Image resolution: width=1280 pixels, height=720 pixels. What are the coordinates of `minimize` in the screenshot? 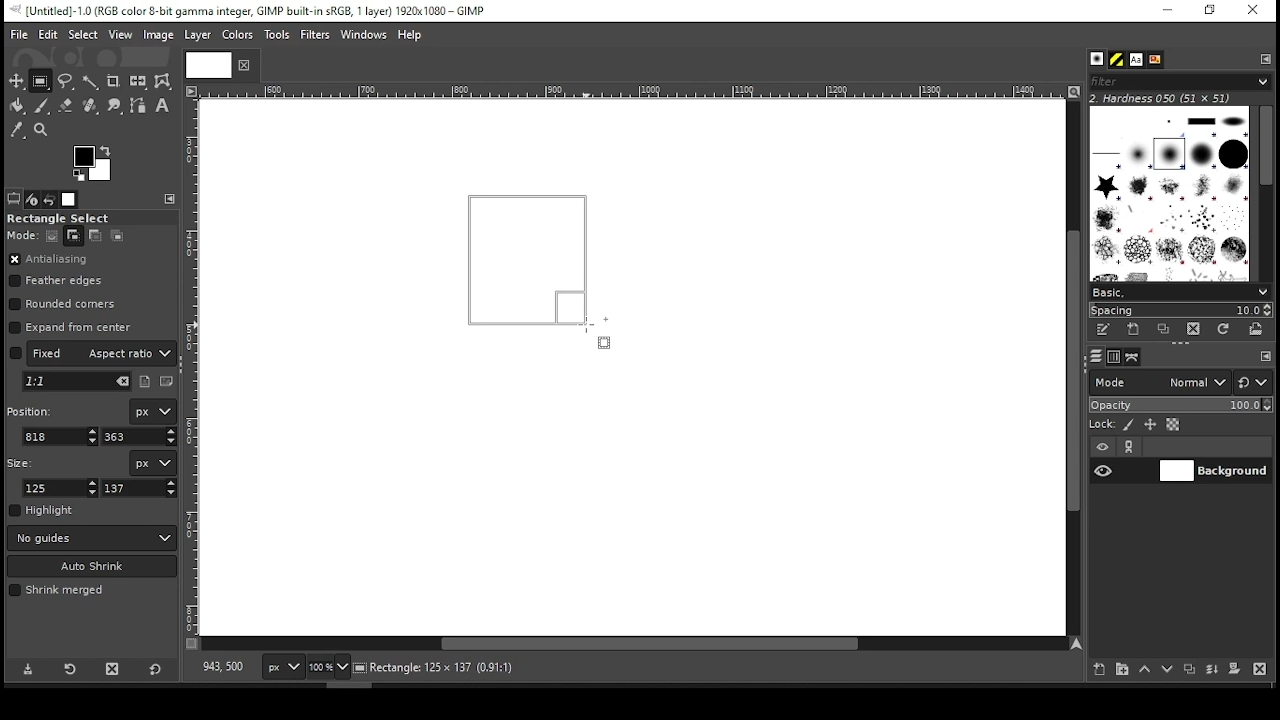 It's located at (1166, 11).